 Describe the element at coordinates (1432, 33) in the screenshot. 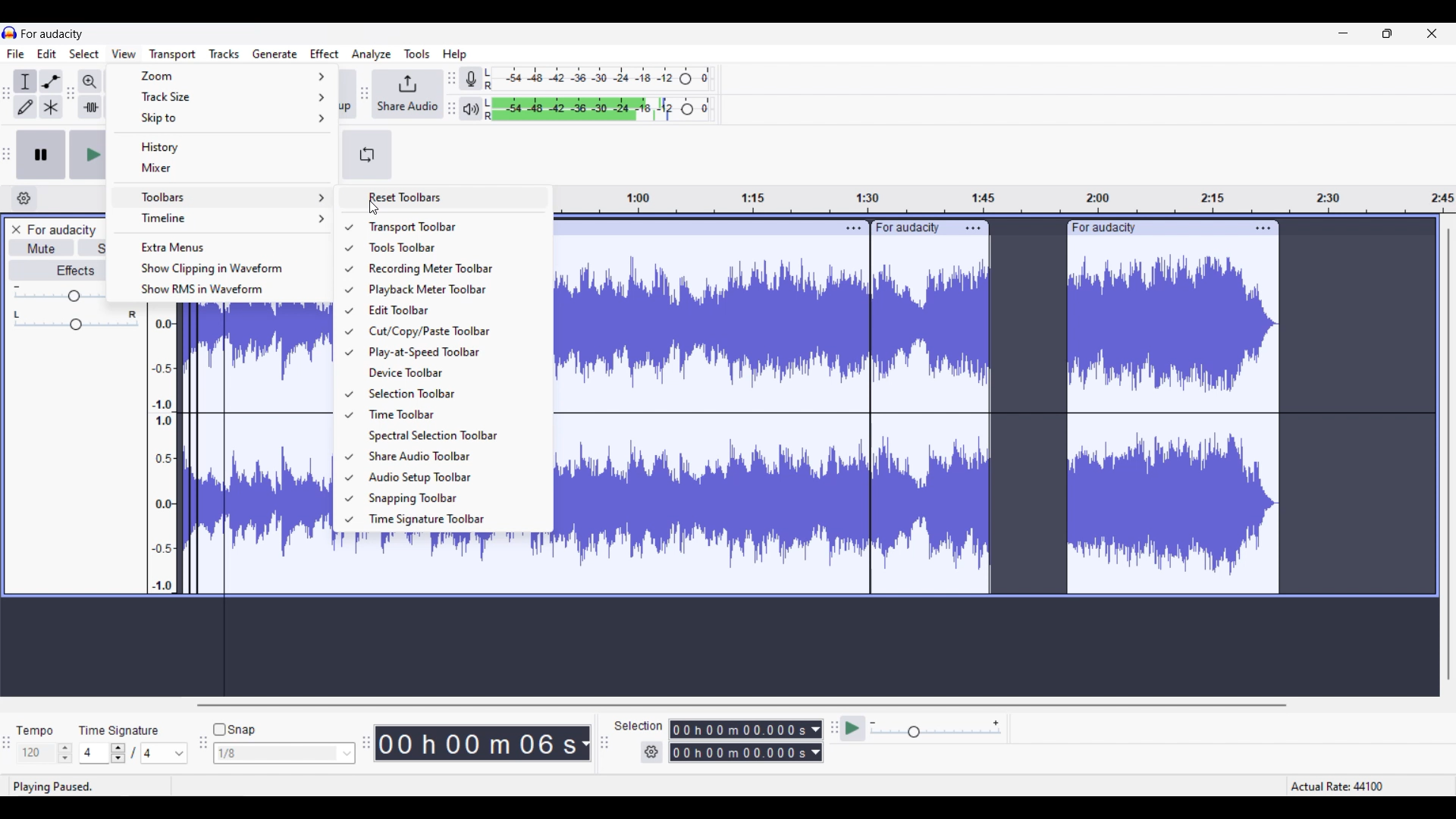

I see `Close interface` at that location.